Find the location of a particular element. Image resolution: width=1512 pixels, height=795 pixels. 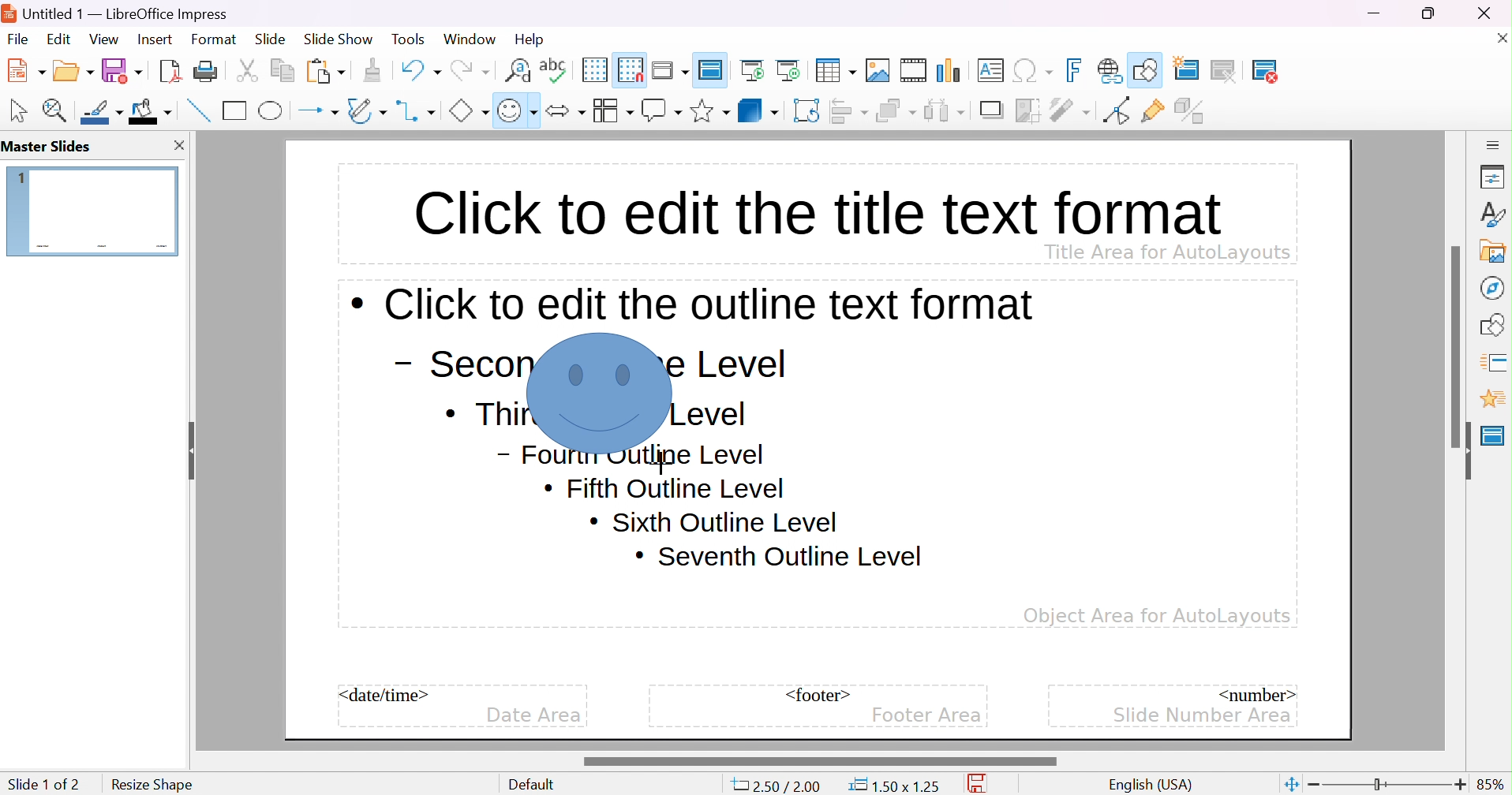

fill color is located at coordinates (151, 110).